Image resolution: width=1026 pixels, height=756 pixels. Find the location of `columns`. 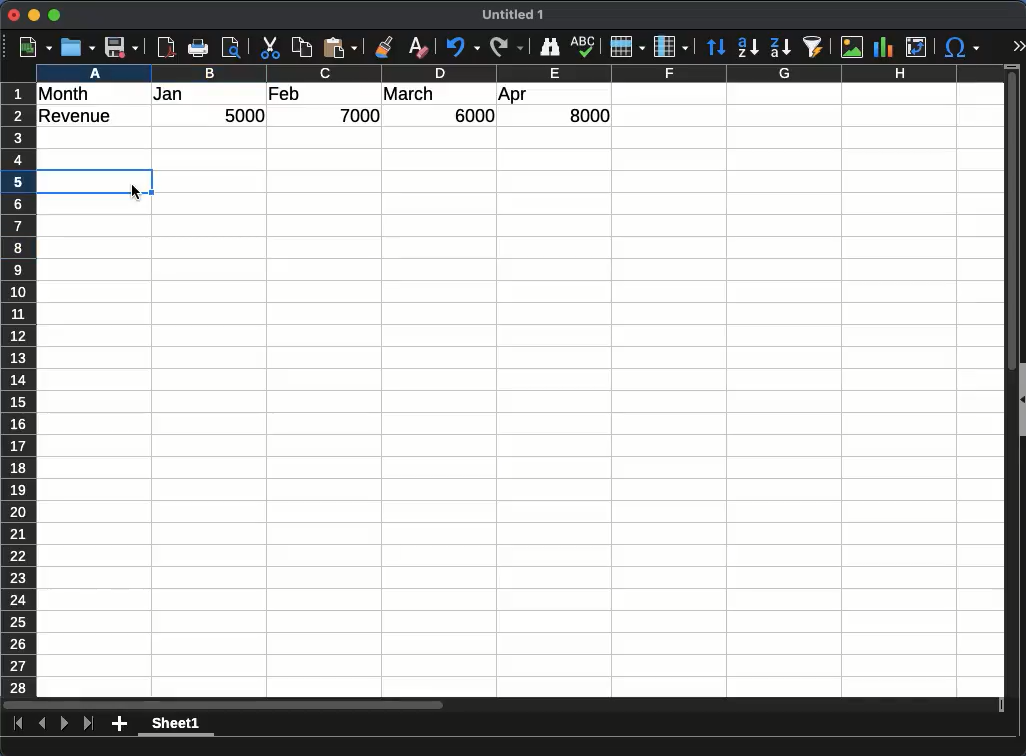

columns is located at coordinates (520, 73).